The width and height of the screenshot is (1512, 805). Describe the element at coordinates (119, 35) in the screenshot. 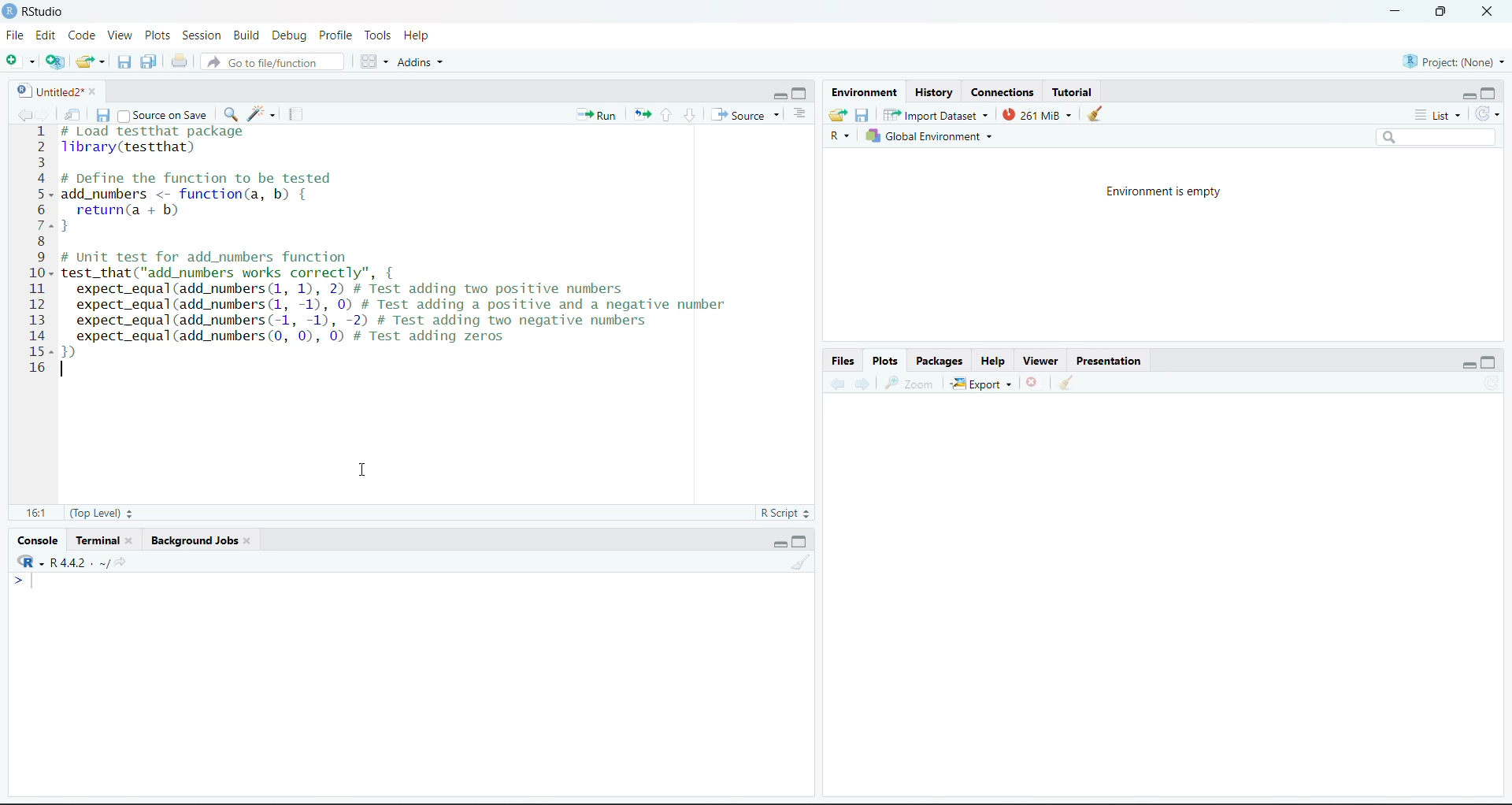

I see `View` at that location.